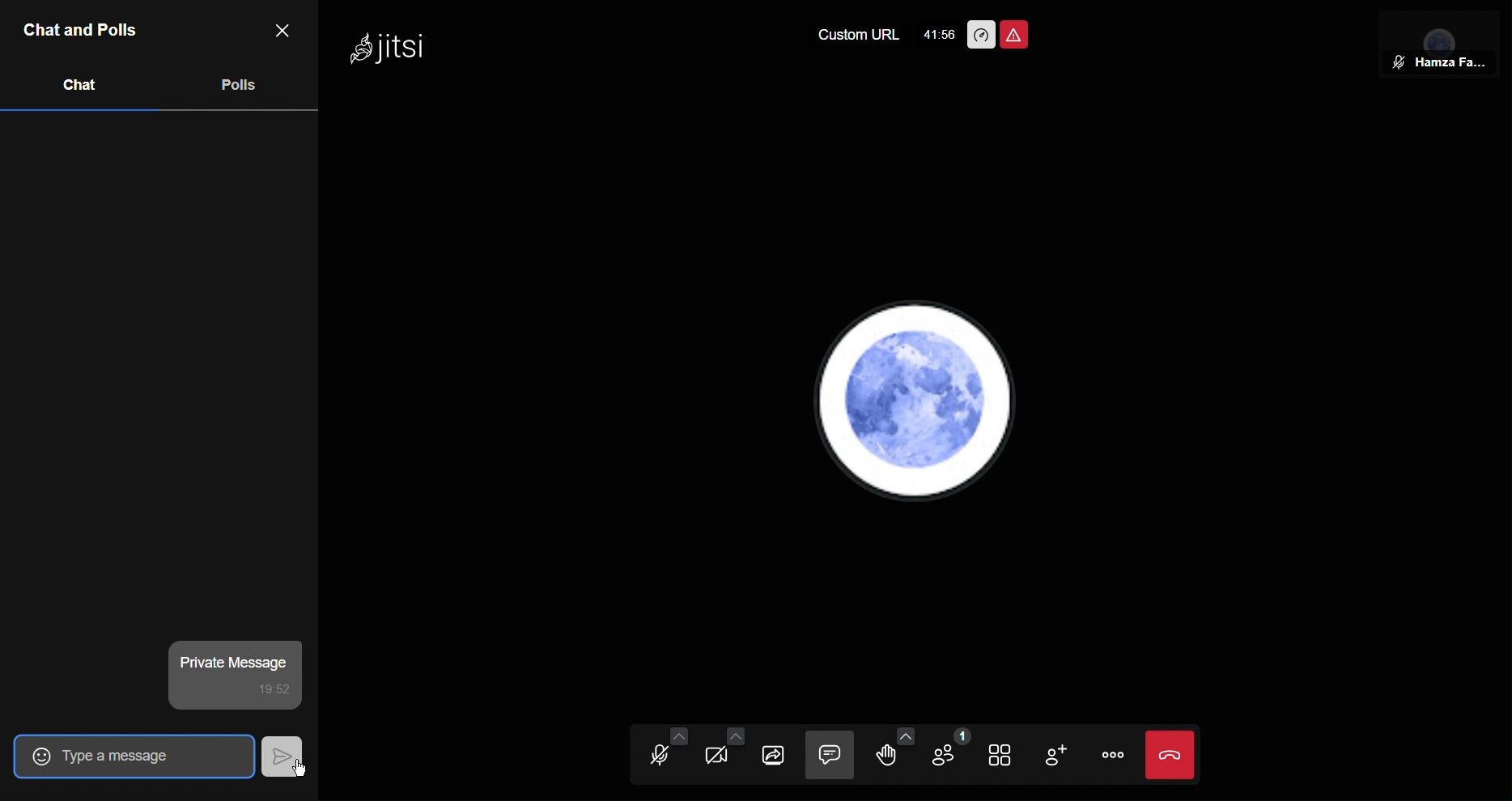  Describe the element at coordinates (284, 33) in the screenshot. I see `Close` at that location.